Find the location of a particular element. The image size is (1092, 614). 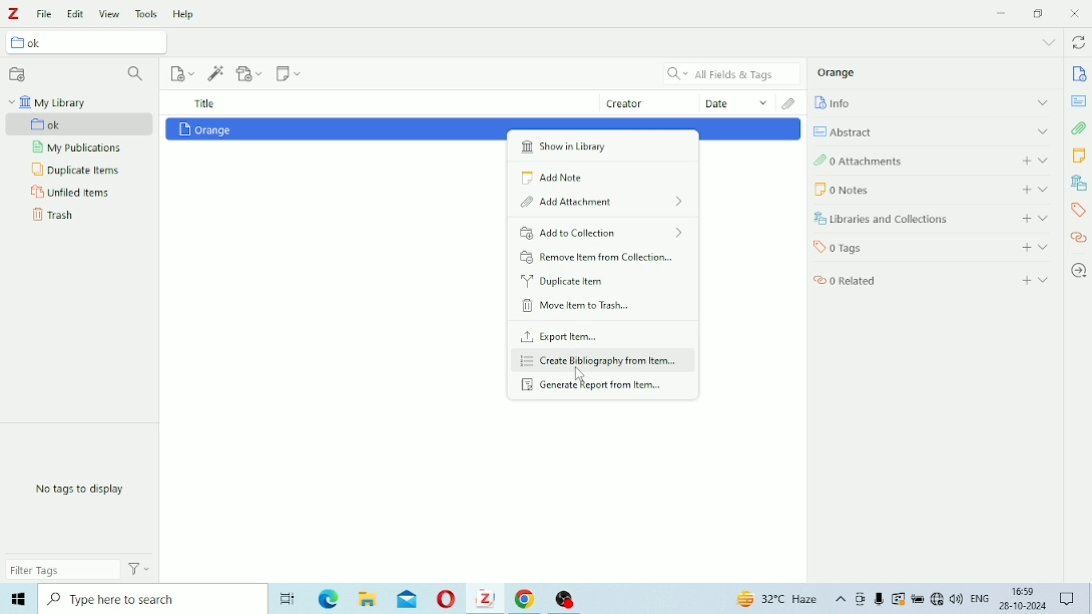

Duplicate Items is located at coordinates (78, 170).